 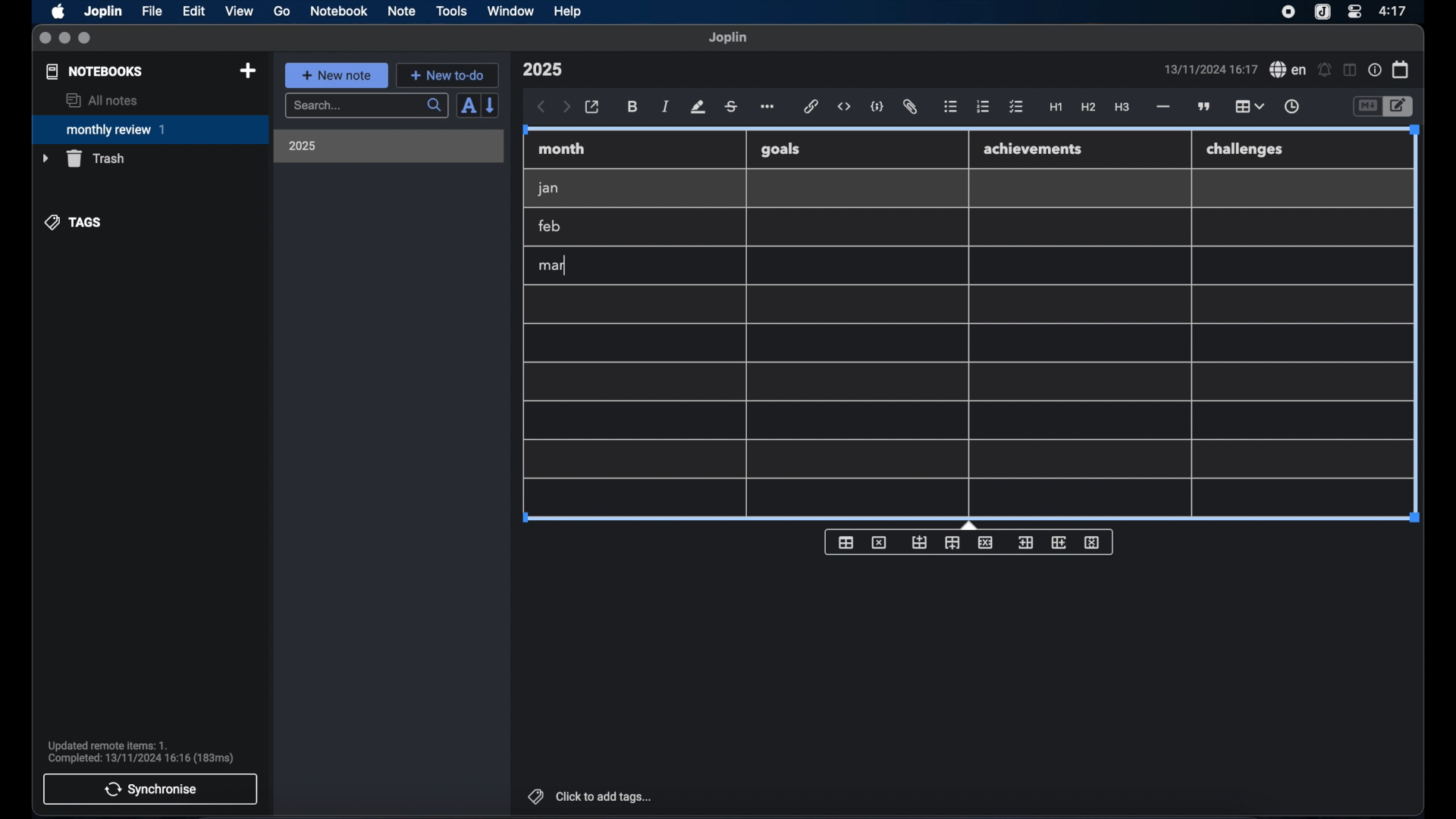 What do you see at coordinates (1321, 13) in the screenshot?
I see `joplin icon` at bounding box center [1321, 13].